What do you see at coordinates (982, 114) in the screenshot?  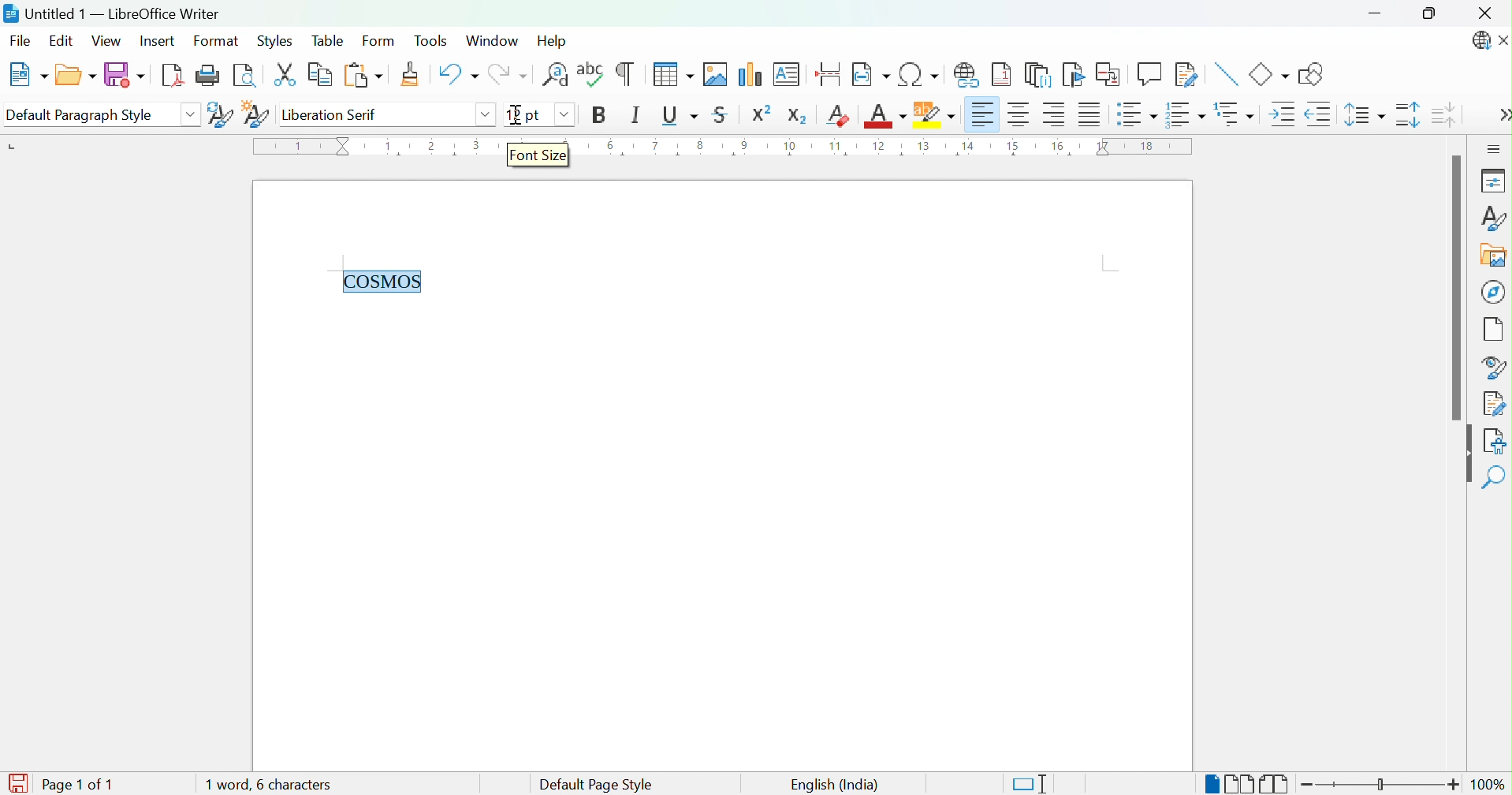 I see `Align Left` at bounding box center [982, 114].